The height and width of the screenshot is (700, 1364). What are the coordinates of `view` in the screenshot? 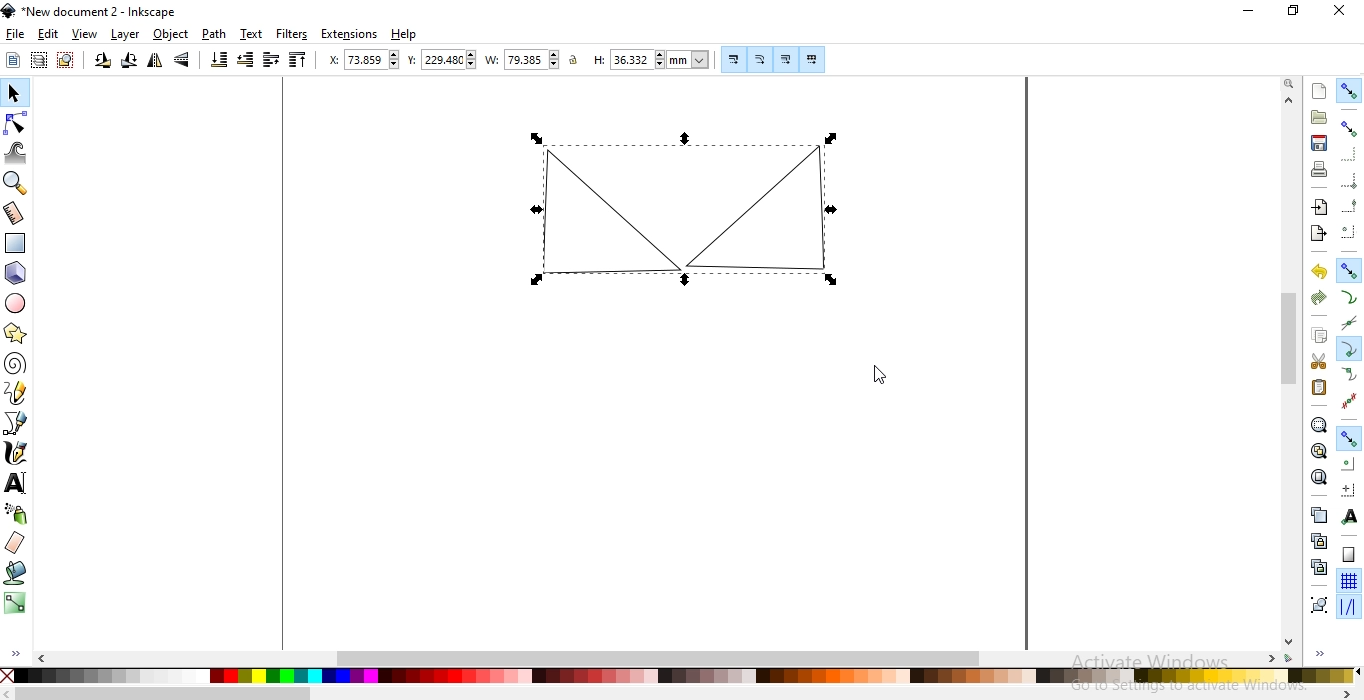 It's located at (85, 34).